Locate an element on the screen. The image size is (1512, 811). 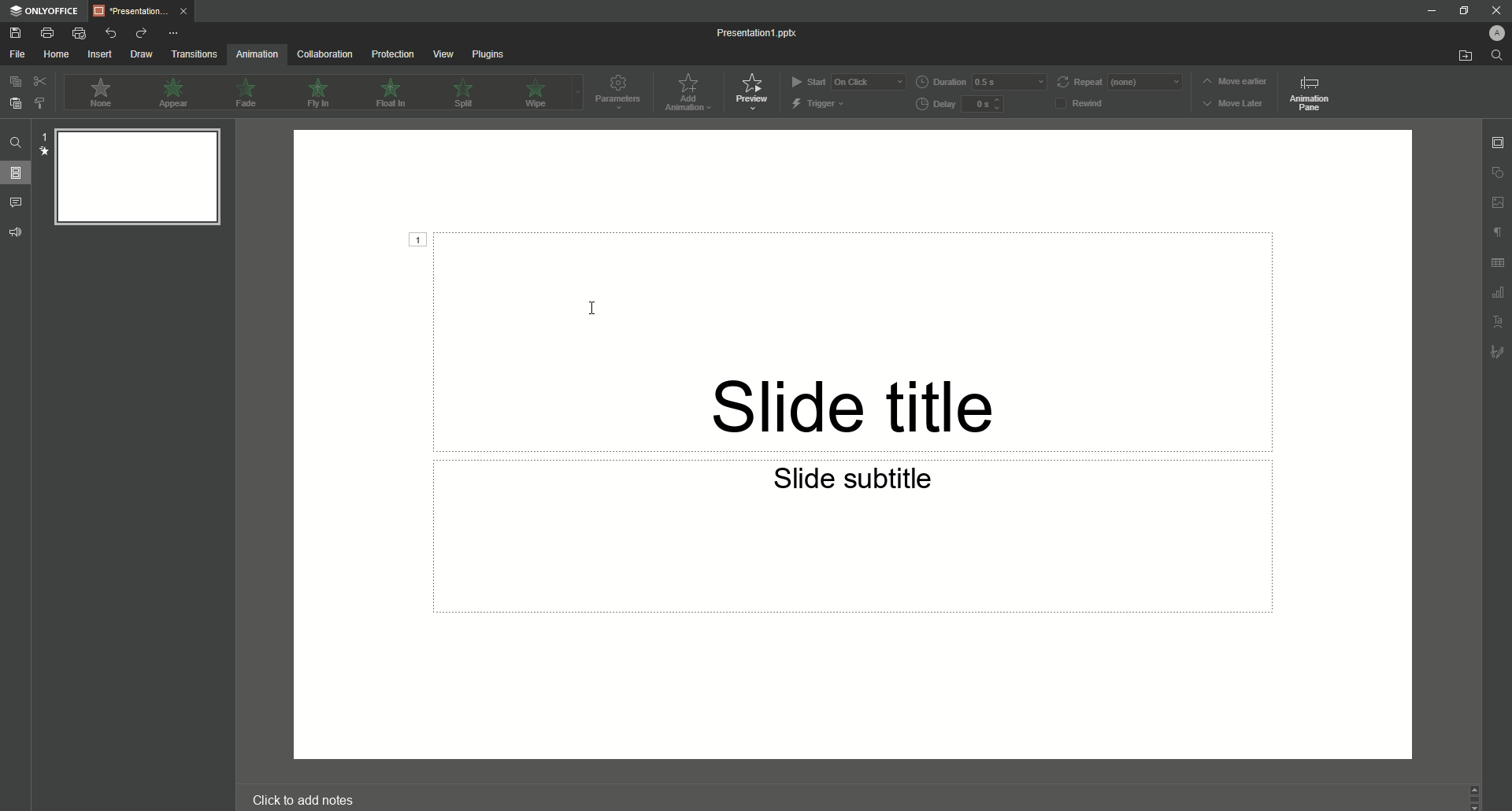
Choose Style is located at coordinates (40, 103).